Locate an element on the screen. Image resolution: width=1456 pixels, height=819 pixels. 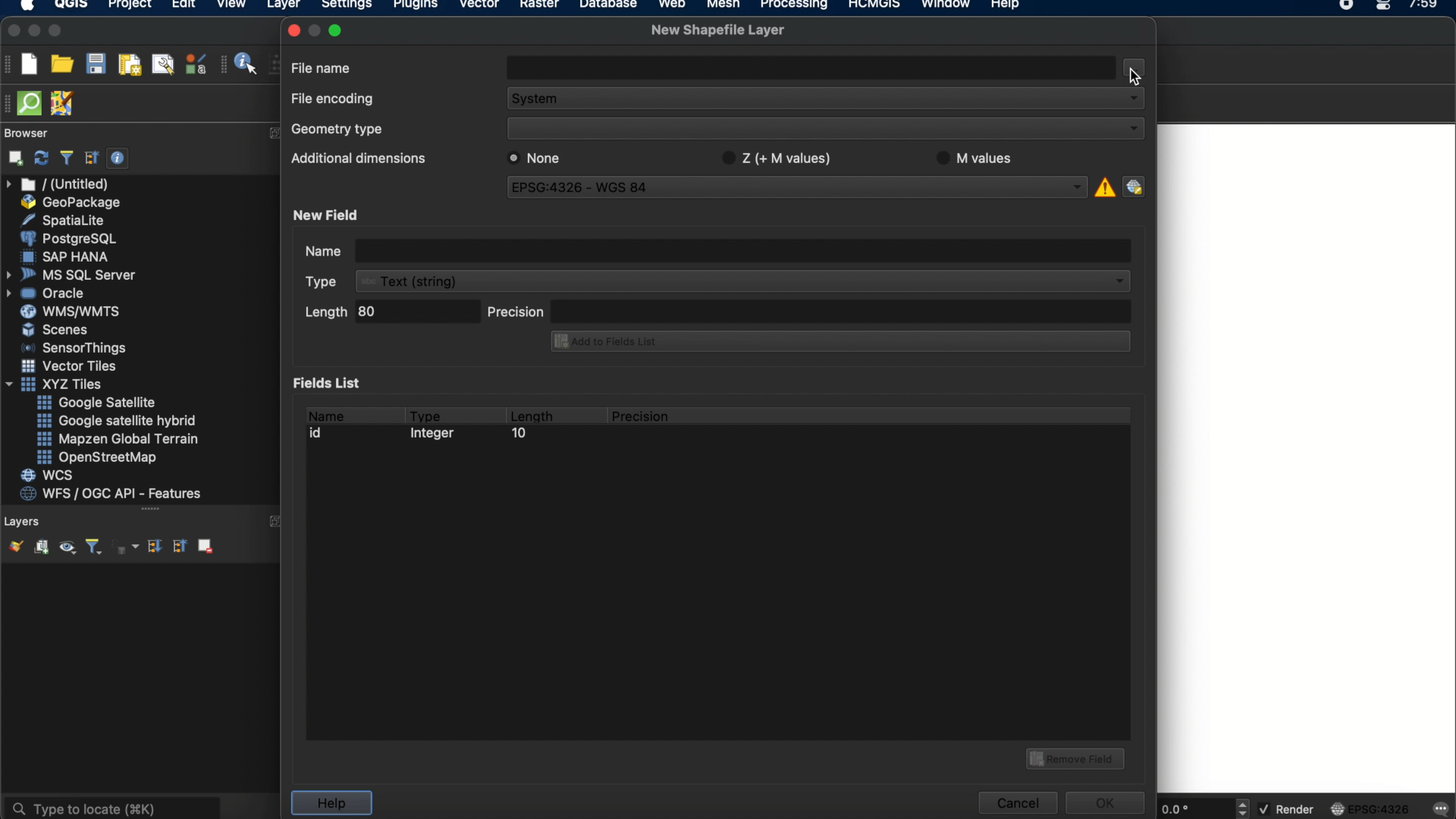
window is located at coordinates (949, 6).